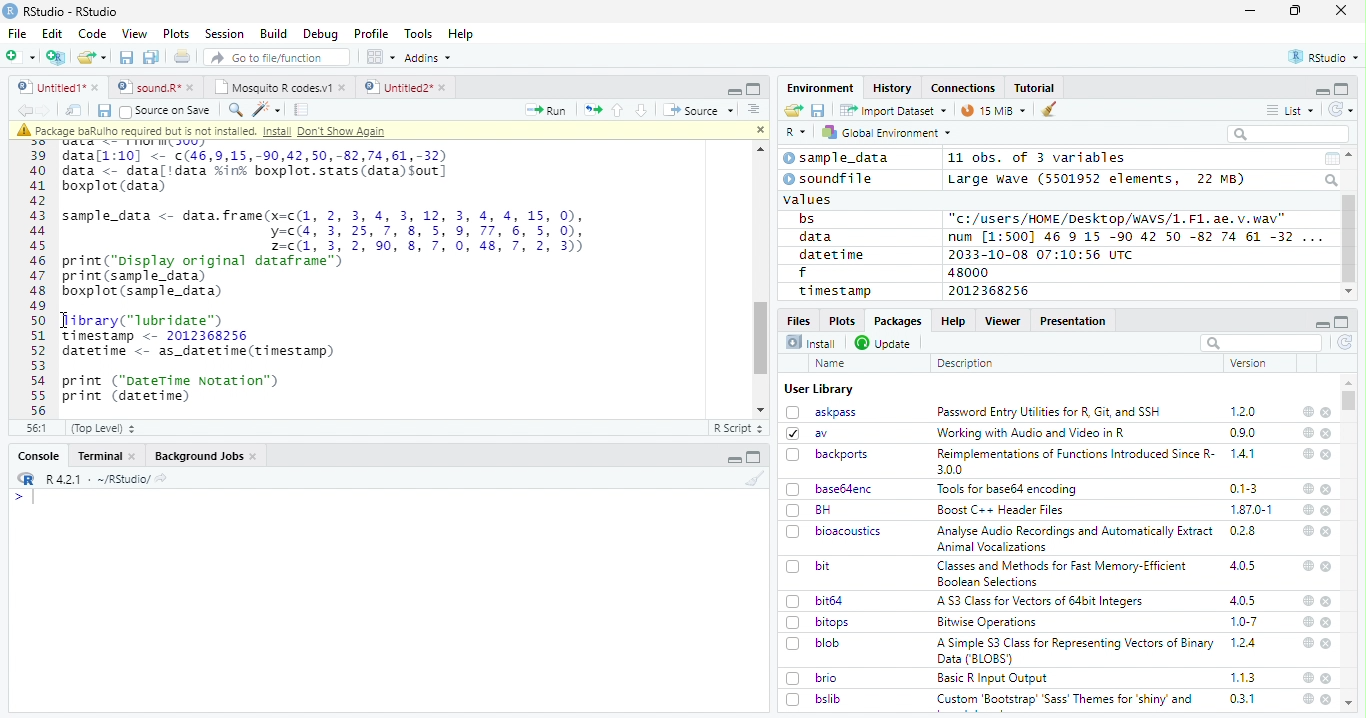 The width and height of the screenshot is (1366, 718). What do you see at coordinates (815, 601) in the screenshot?
I see `bit64` at bounding box center [815, 601].